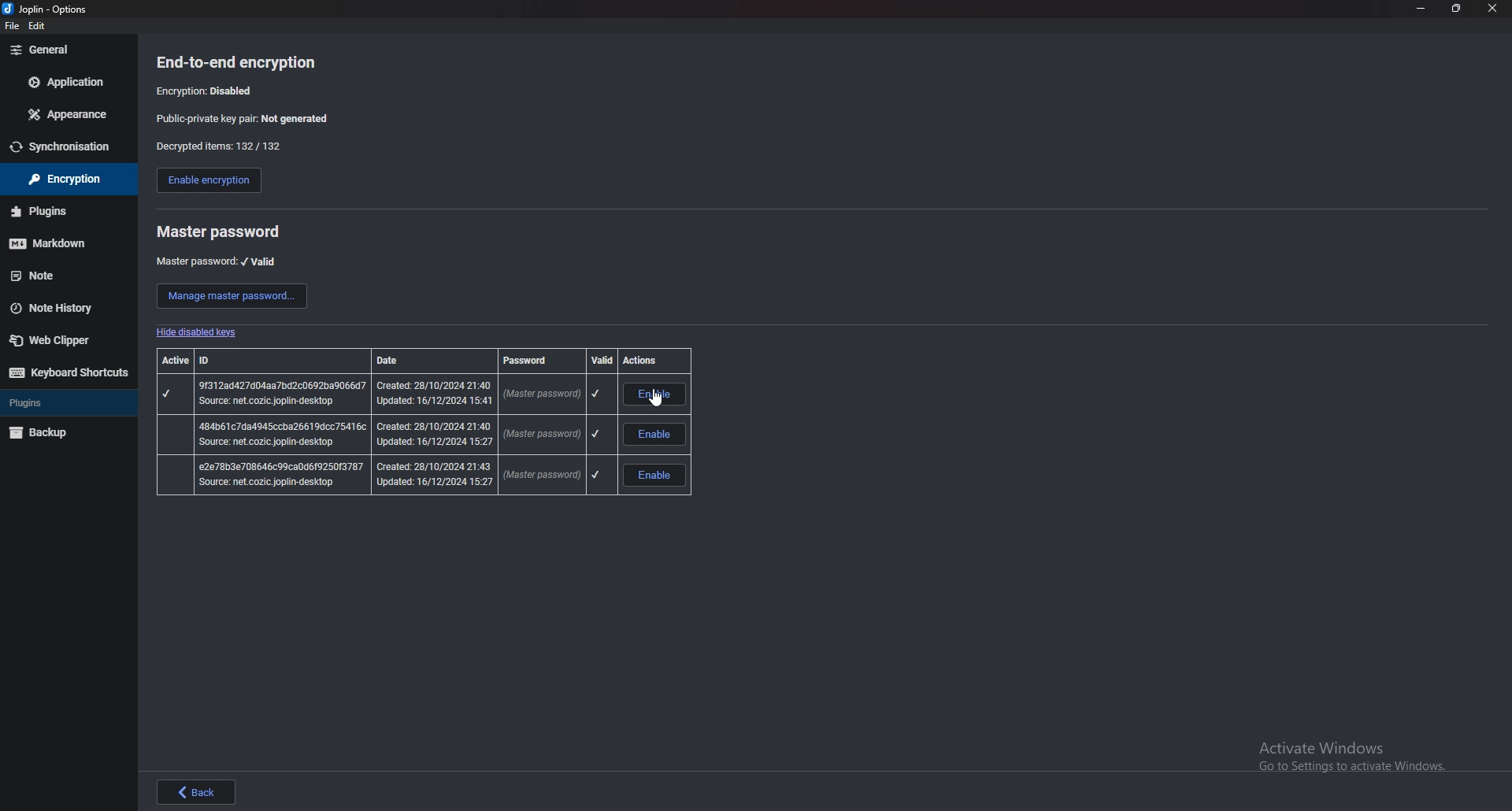 This screenshot has height=811, width=1512. Describe the element at coordinates (63, 339) in the screenshot. I see `web clipper` at that location.